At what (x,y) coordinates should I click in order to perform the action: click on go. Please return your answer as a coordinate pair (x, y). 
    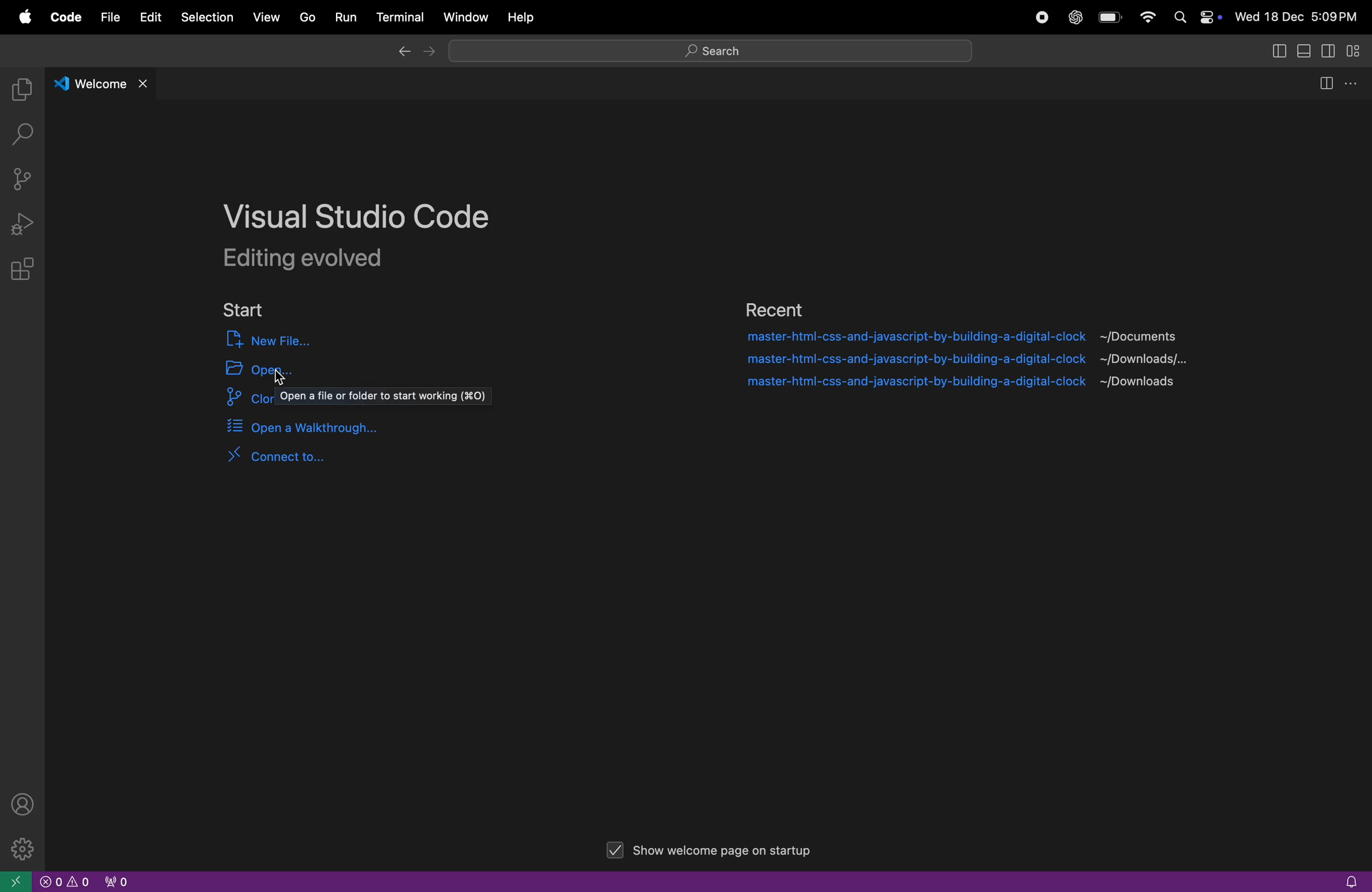
    Looking at the image, I should click on (304, 17).